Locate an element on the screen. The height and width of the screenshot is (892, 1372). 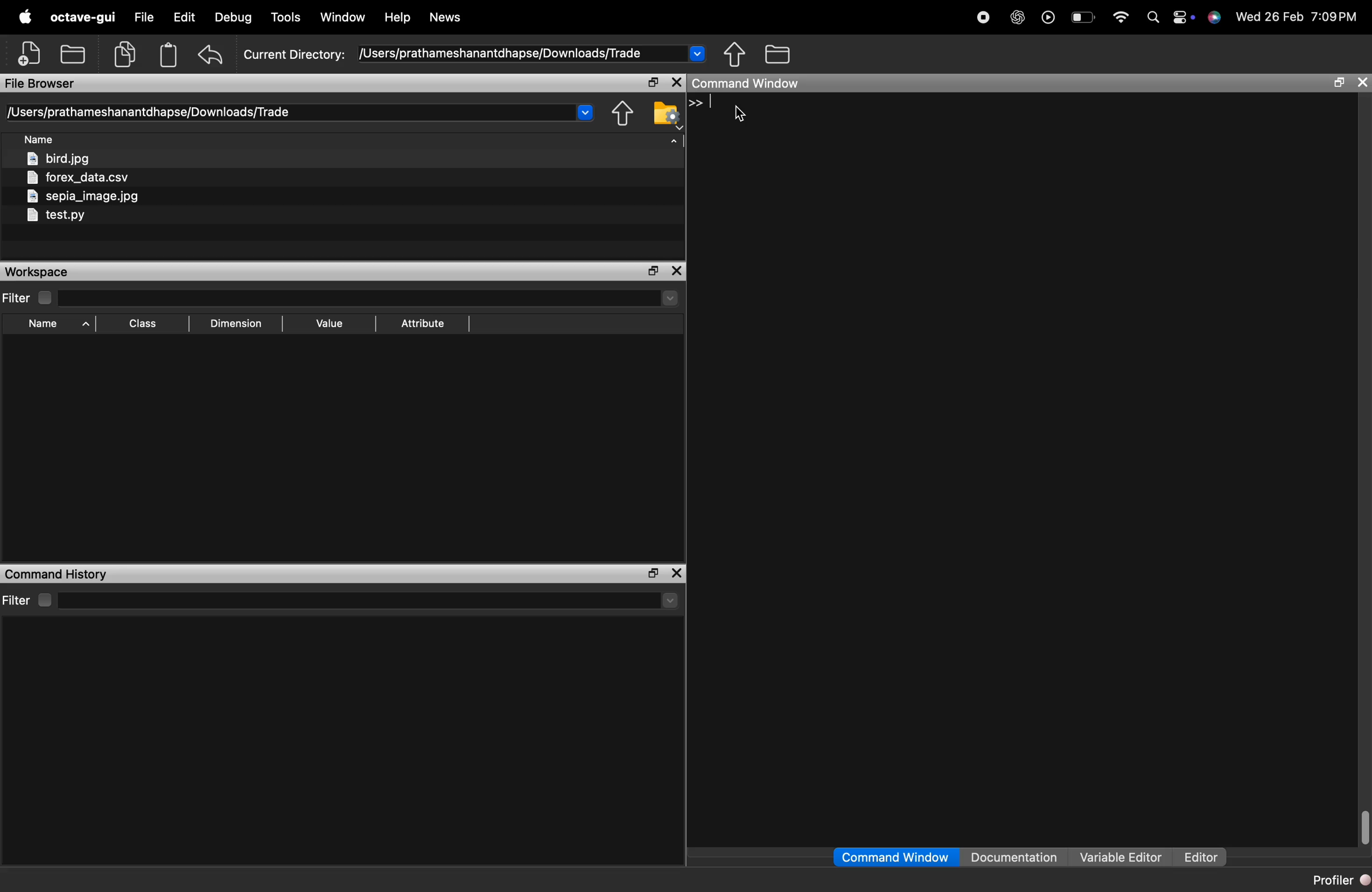
sort by dimension is located at coordinates (236, 324).